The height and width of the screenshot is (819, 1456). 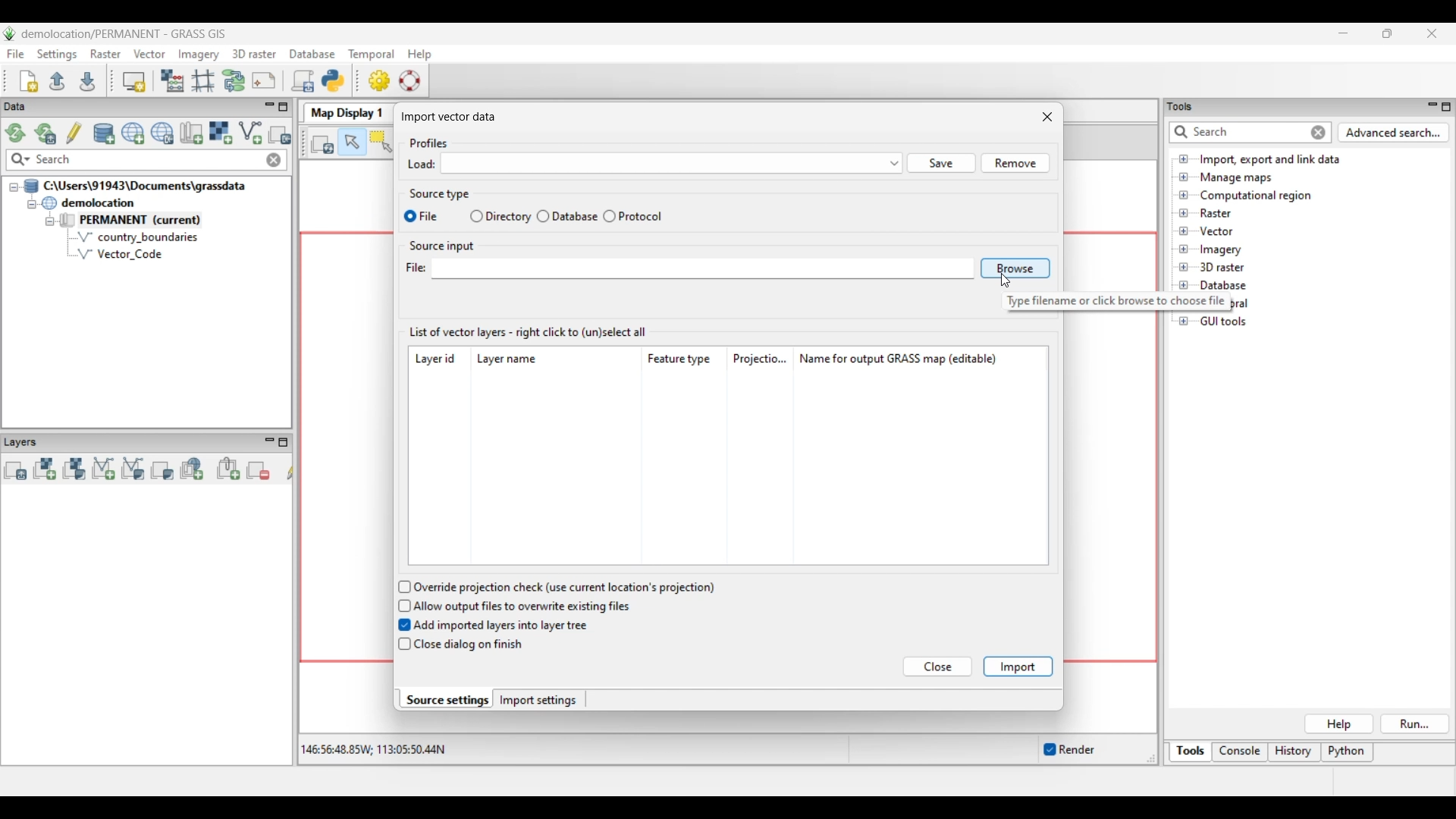 I want to click on Click to open Computational region, so click(x=1184, y=195).